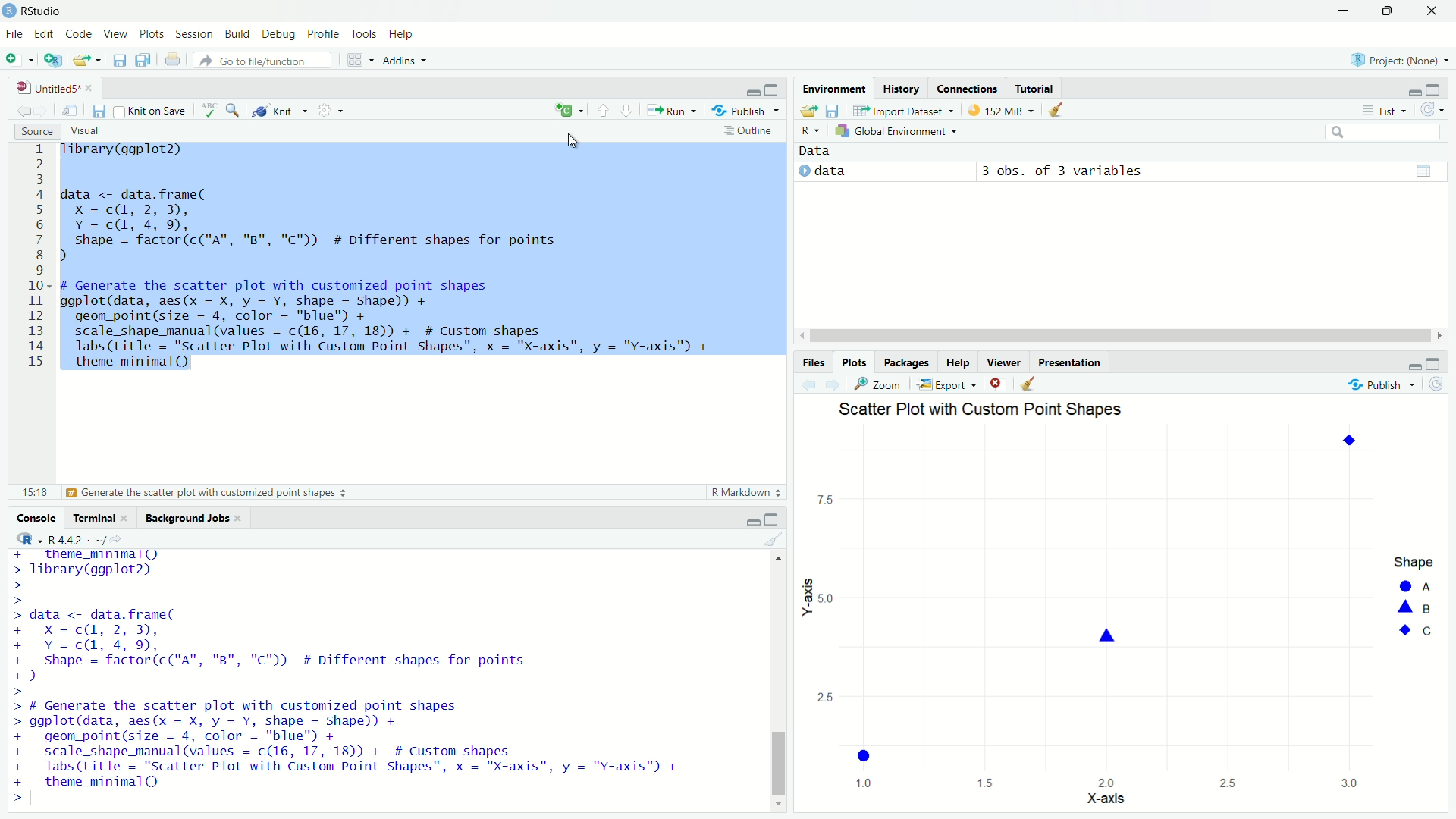 The image size is (1456, 819). Describe the element at coordinates (234, 110) in the screenshot. I see `Find/Replace` at that location.